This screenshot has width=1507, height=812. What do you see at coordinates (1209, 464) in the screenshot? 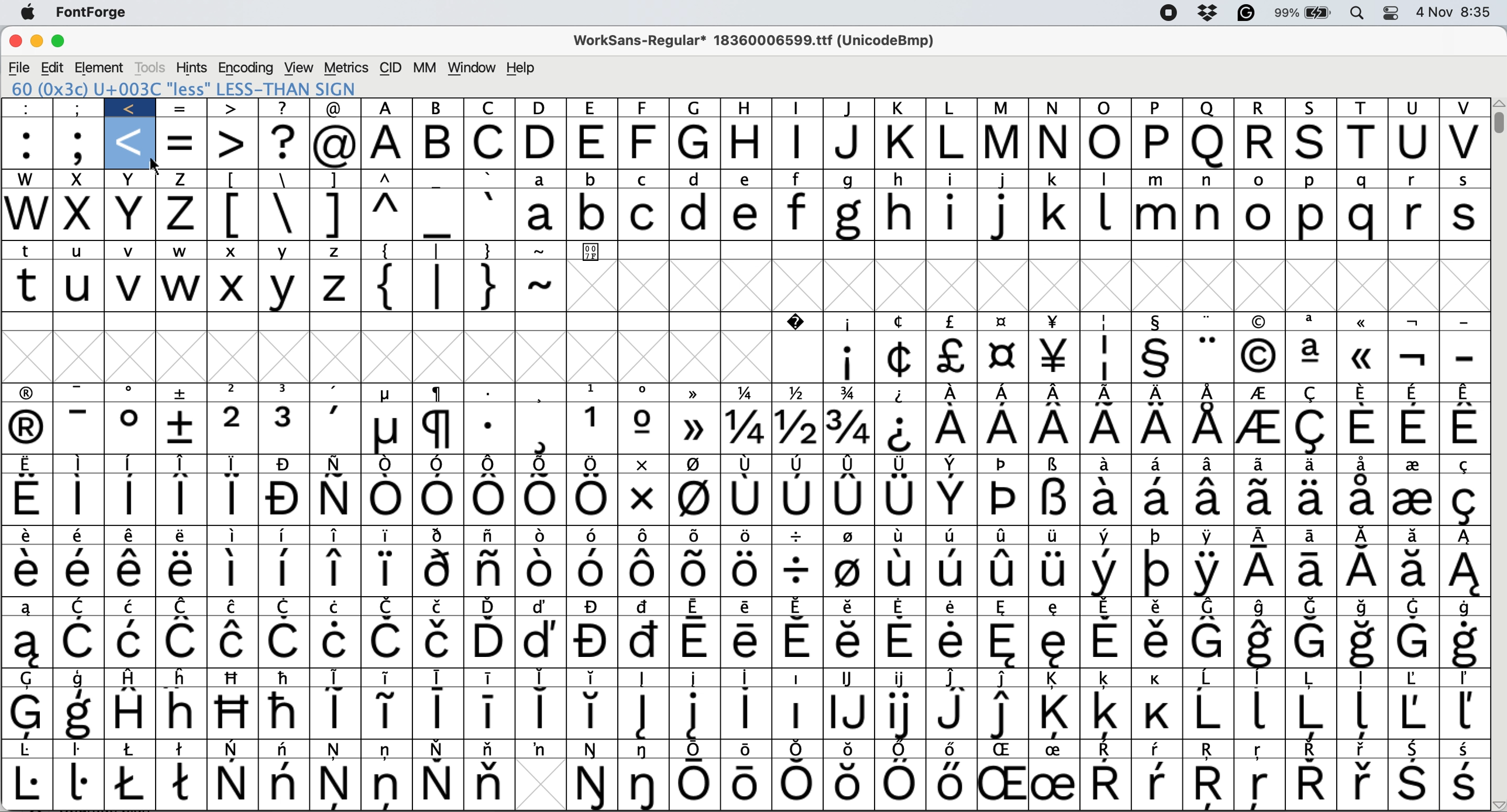
I see `Symbol` at bounding box center [1209, 464].